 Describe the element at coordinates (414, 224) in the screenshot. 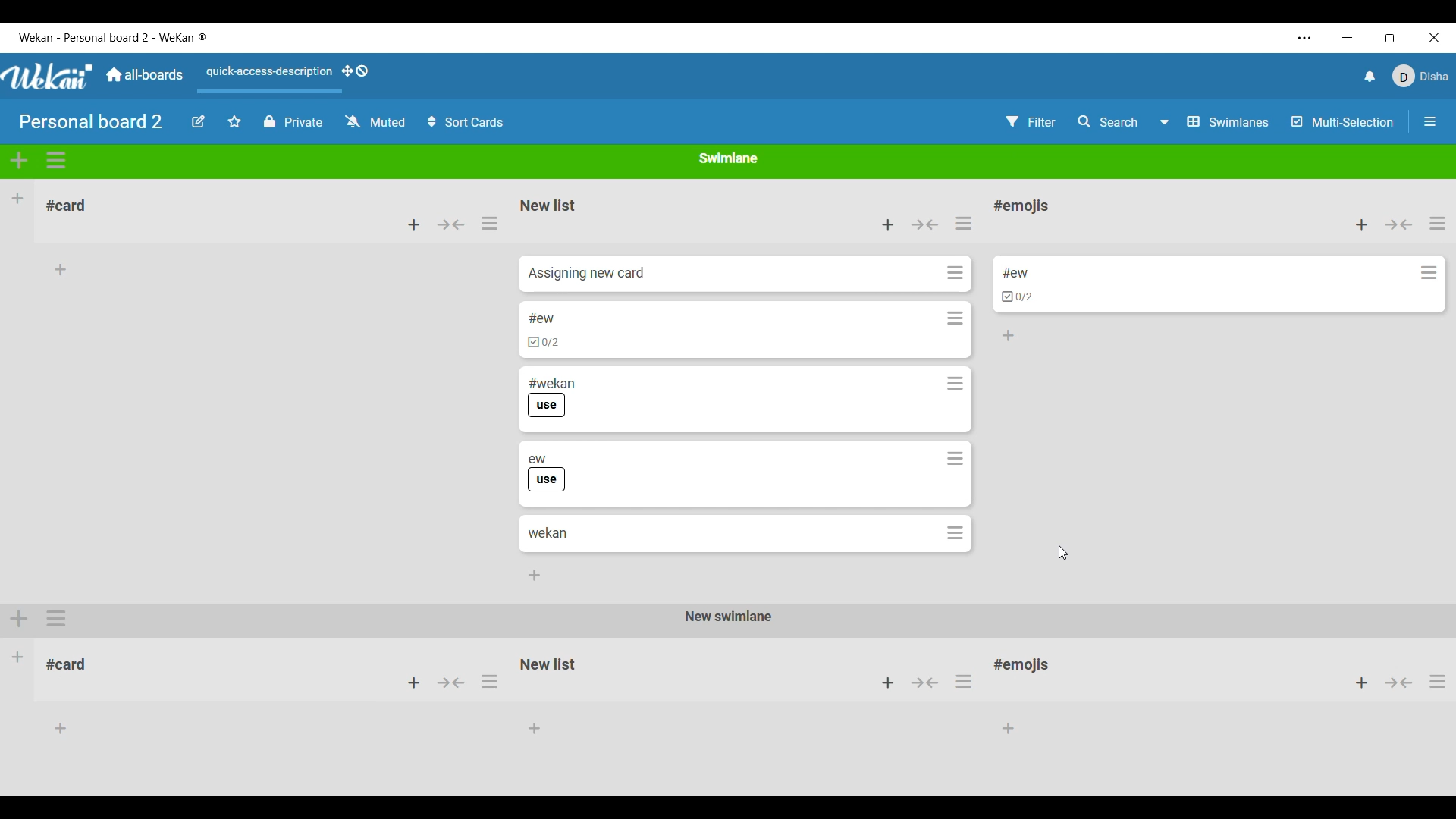

I see `Add card to top of list` at that location.